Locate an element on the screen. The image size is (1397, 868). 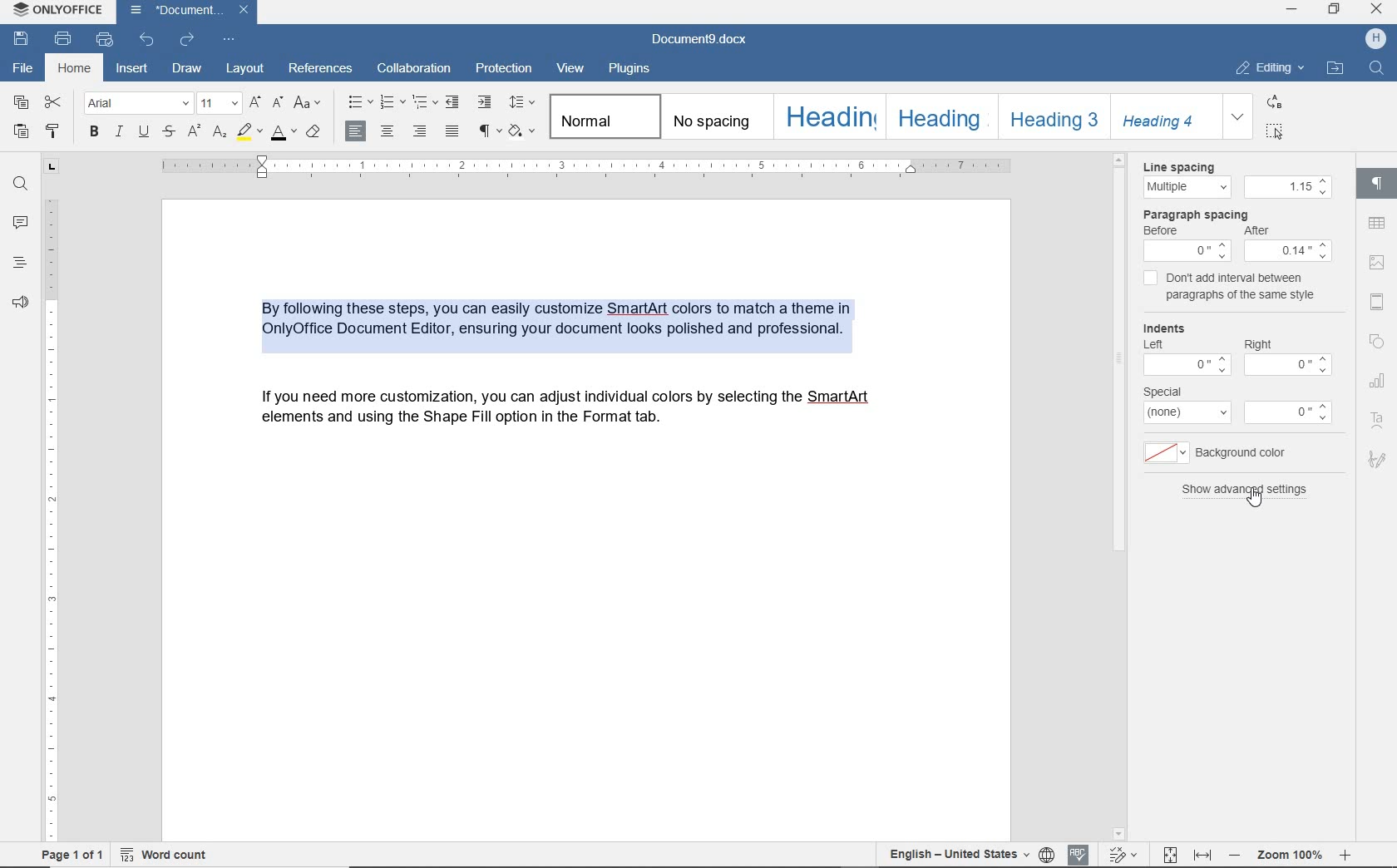
heading 1 is located at coordinates (828, 116).